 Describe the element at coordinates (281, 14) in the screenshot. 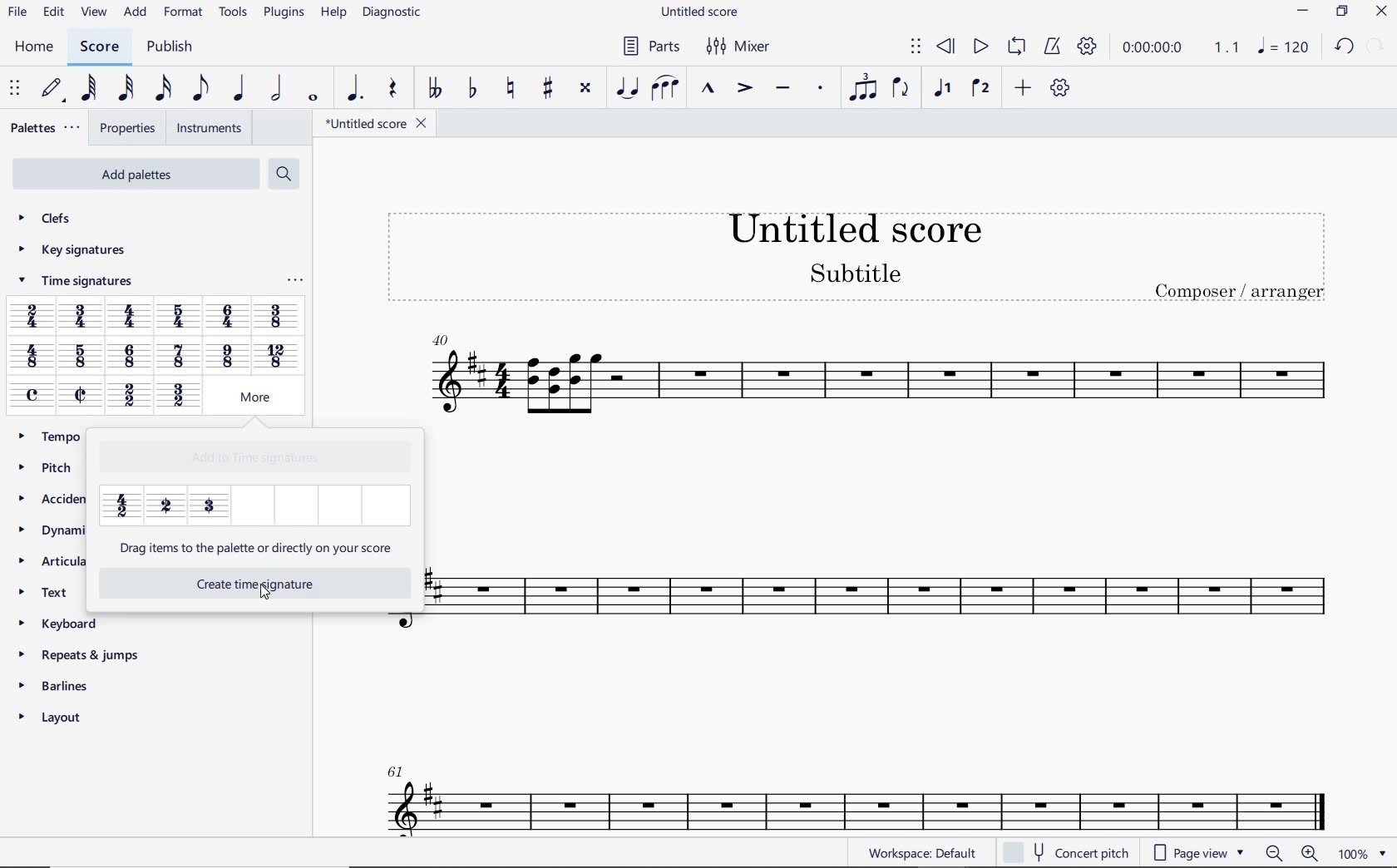

I see `PLUGINS` at that location.